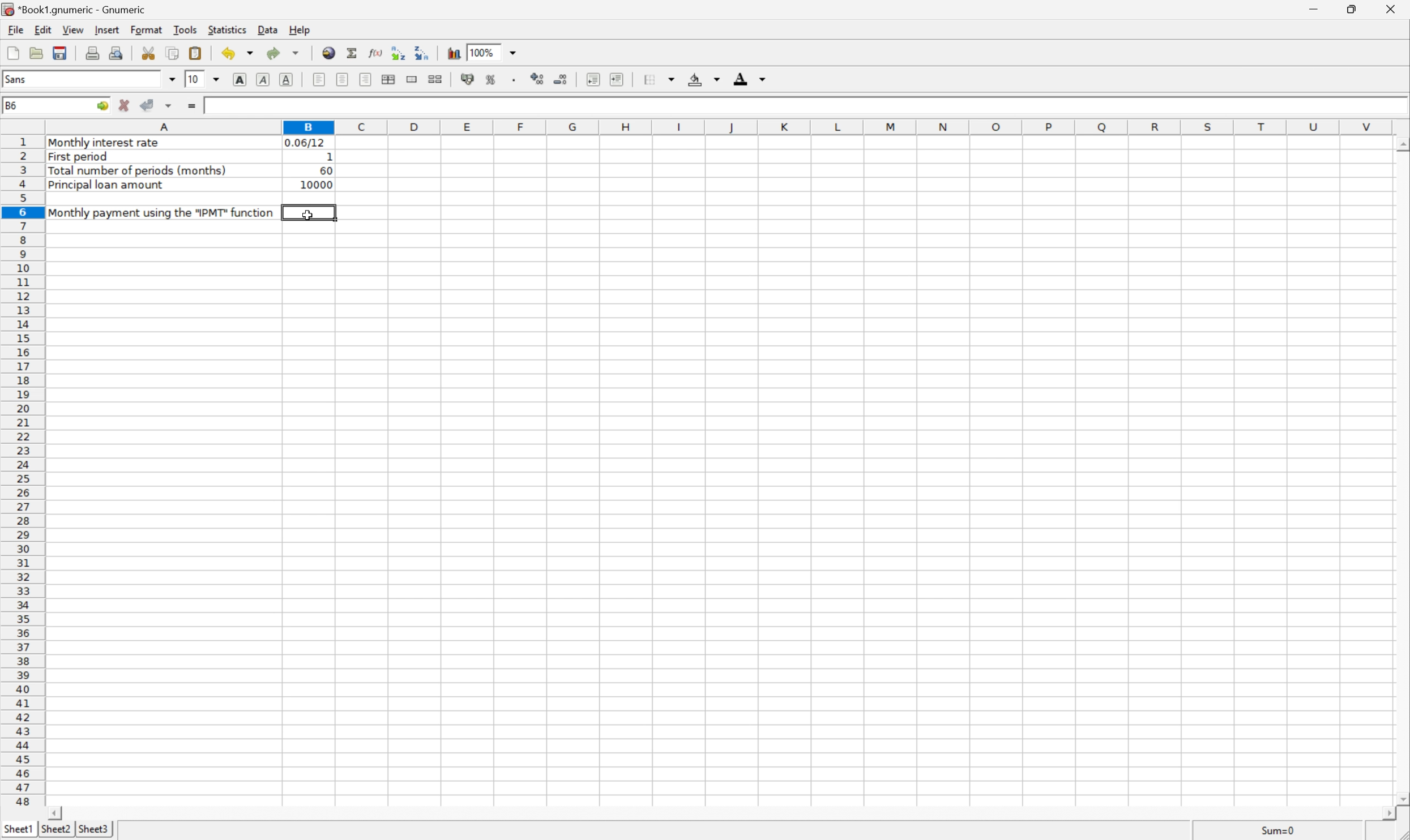 The image size is (1410, 840). I want to click on Restore Down, so click(1352, 8).